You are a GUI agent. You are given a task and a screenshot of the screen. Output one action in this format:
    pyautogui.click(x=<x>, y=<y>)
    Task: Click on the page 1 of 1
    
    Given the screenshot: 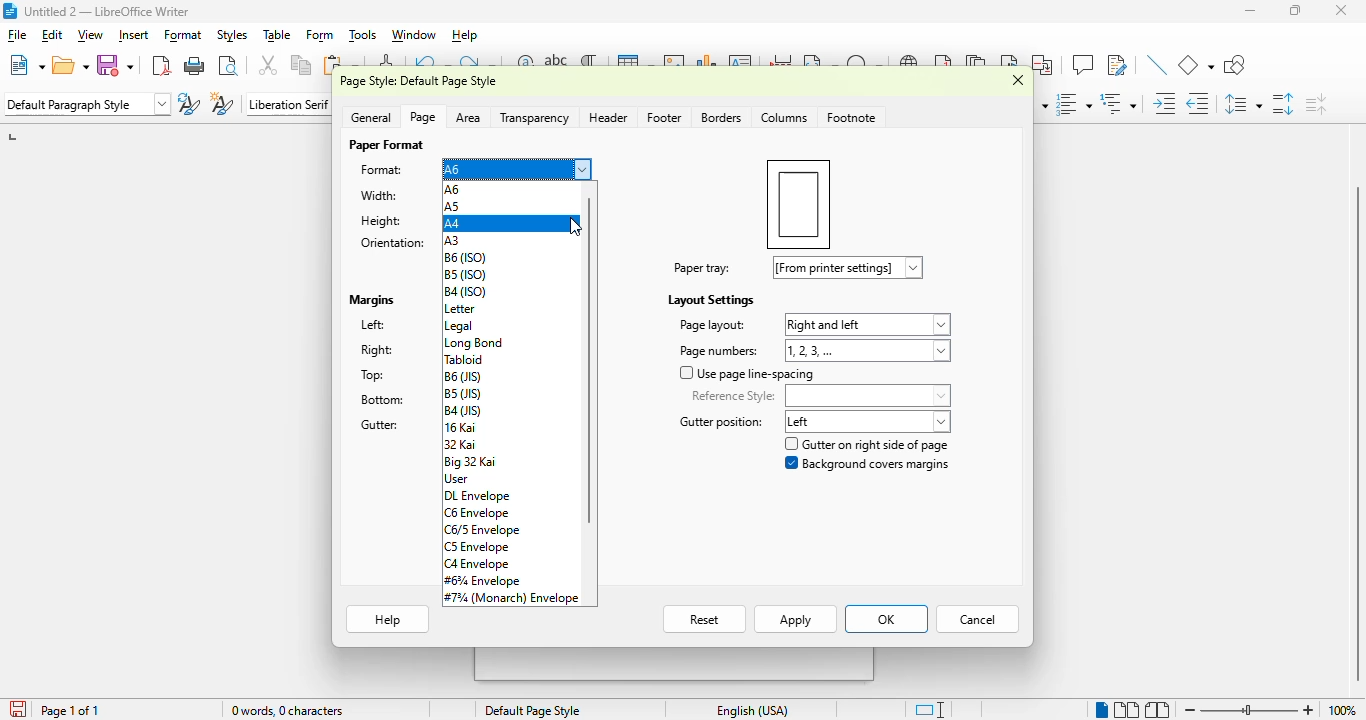 What is the action you would take?
    pyautogui.click(x=70, y=711)
    